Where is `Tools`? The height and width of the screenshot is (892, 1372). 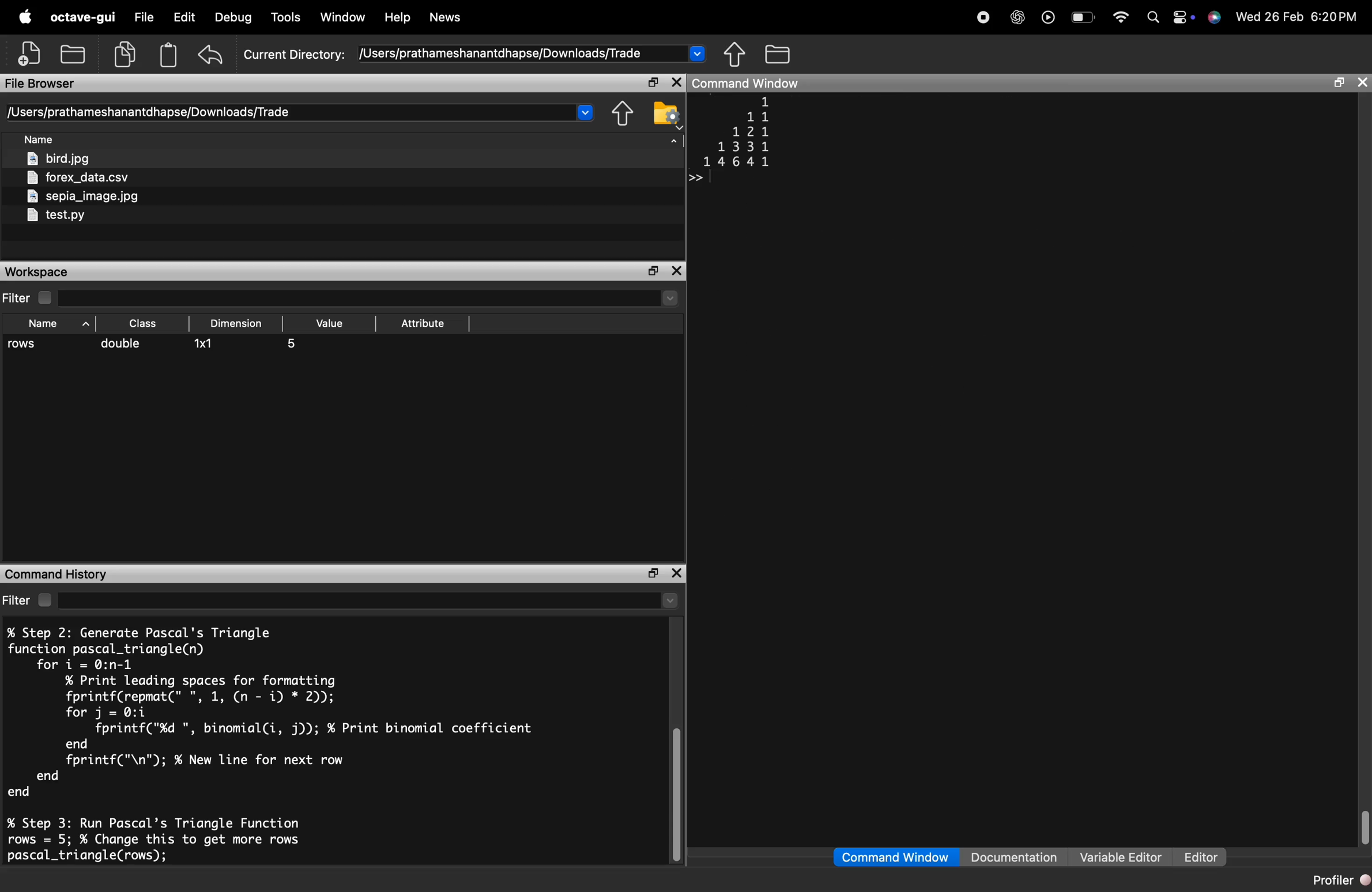
Tools is located at coordinates (288, 16).